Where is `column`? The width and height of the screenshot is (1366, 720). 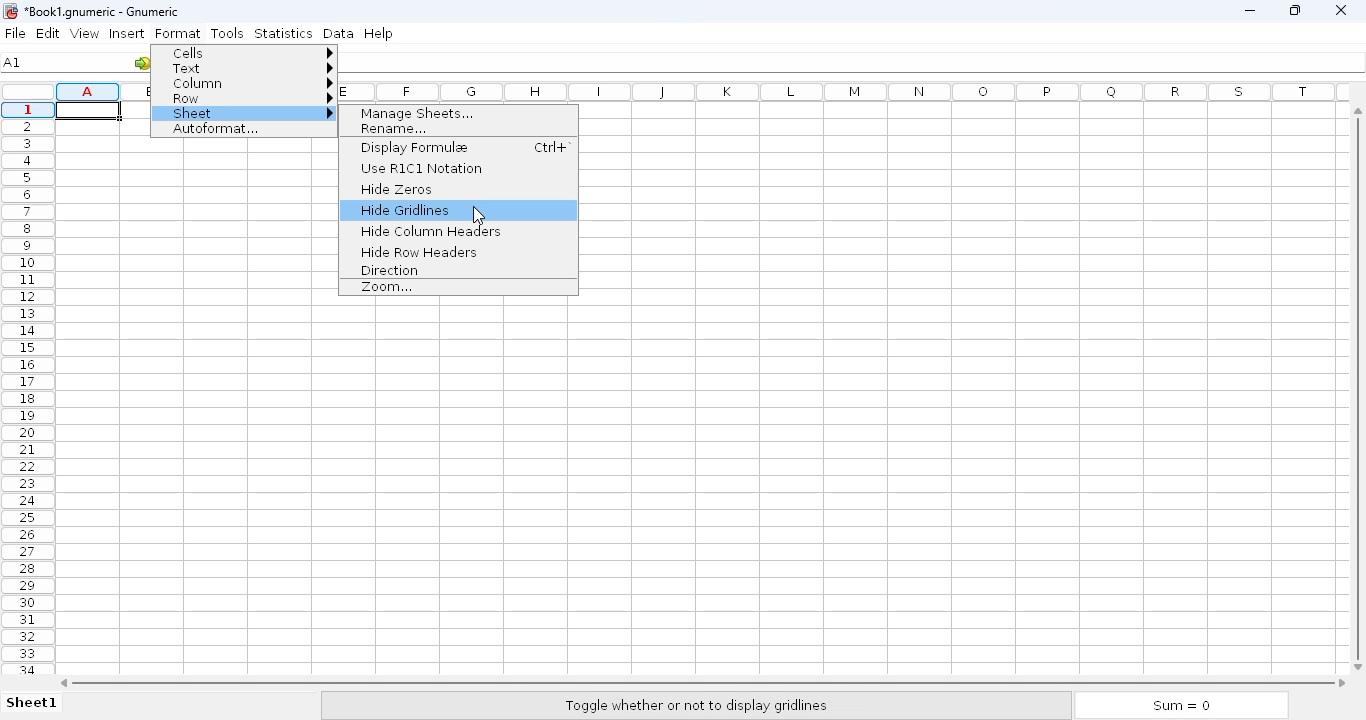
column is located at coordinates (249, 83).